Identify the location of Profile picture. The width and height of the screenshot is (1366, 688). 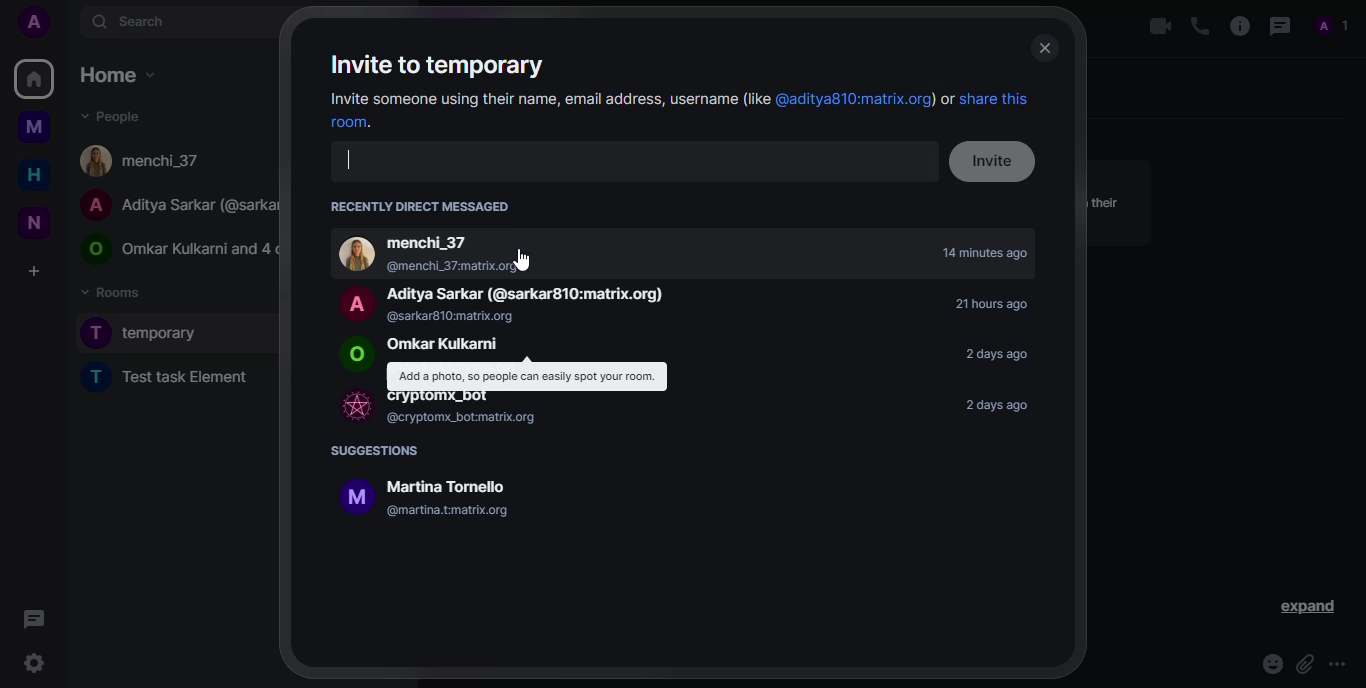
(354, 356).